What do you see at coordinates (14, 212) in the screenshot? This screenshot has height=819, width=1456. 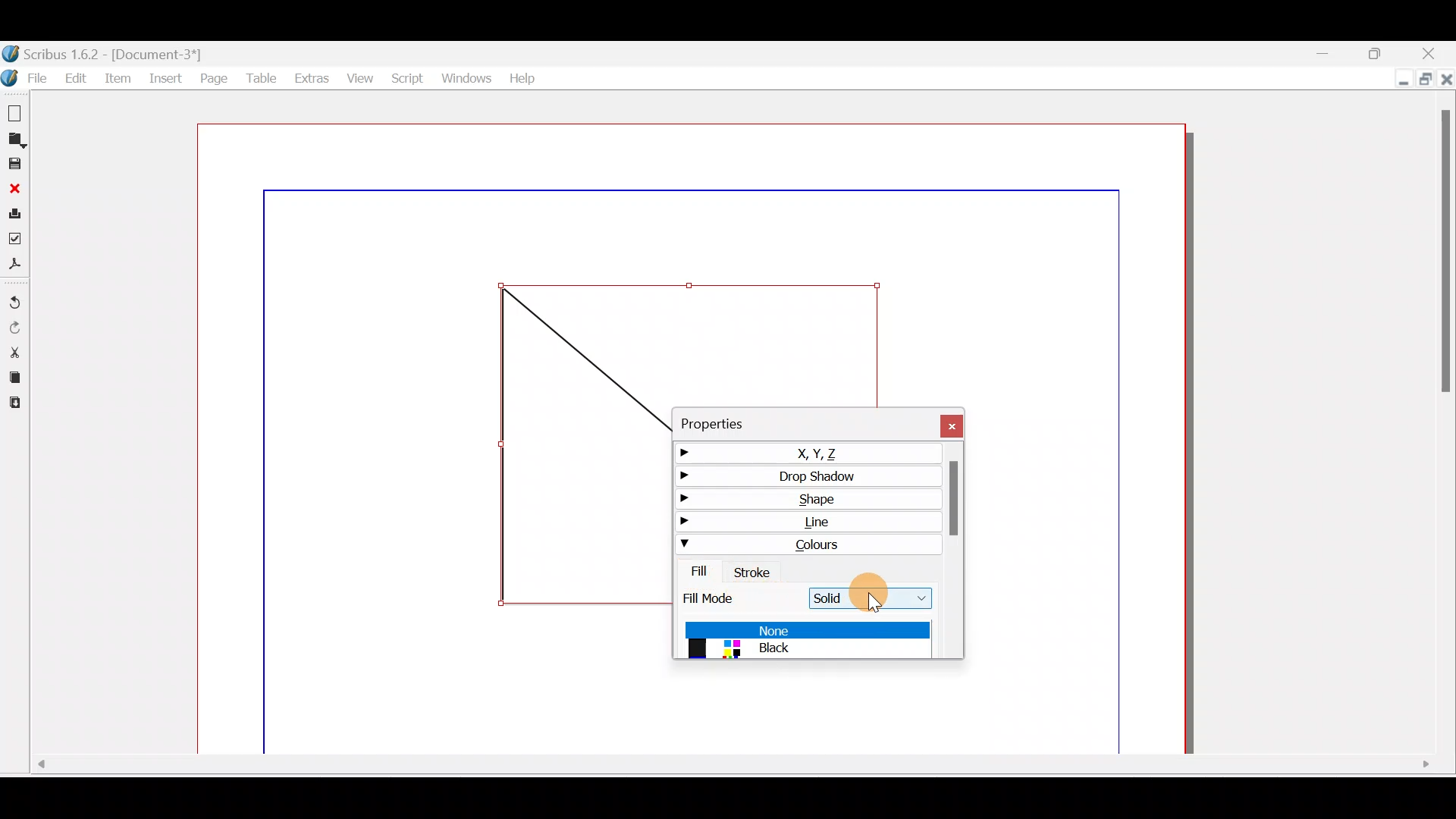 I see `Print` at bounding box center [14, 212].